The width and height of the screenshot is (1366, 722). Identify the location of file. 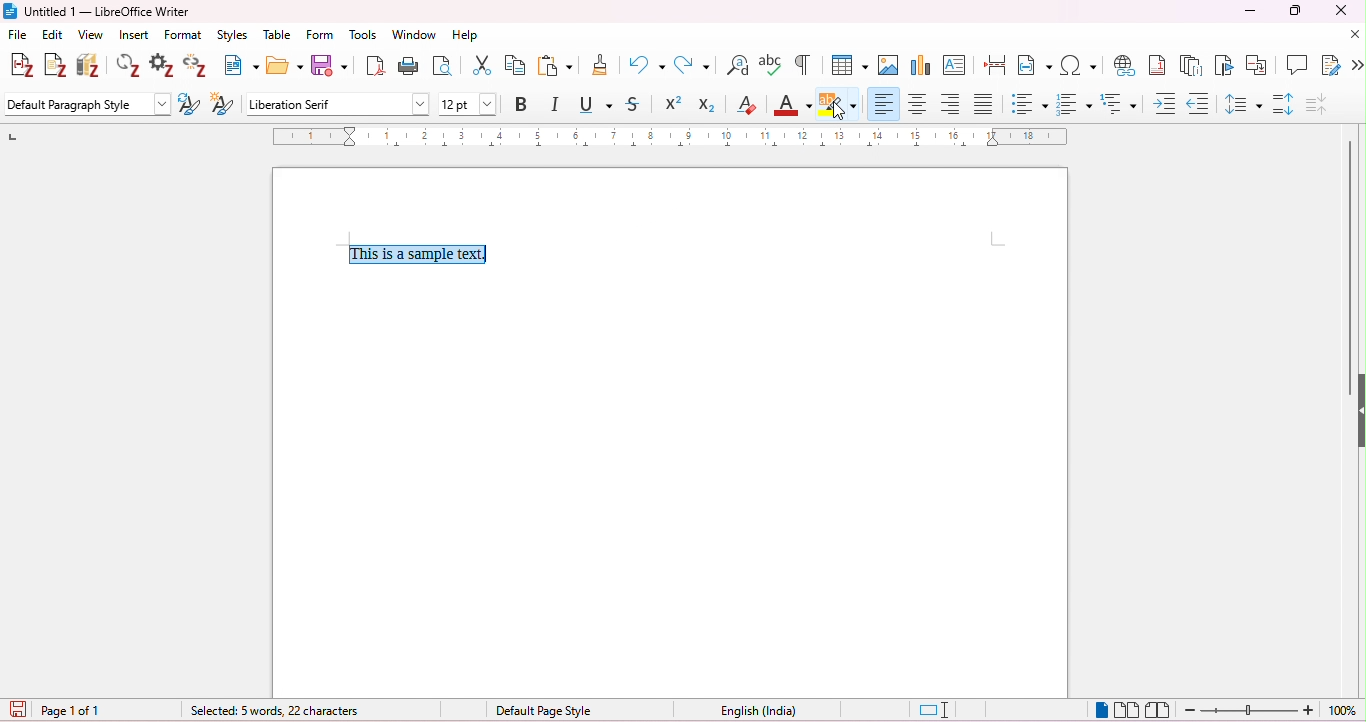
(16, 35).